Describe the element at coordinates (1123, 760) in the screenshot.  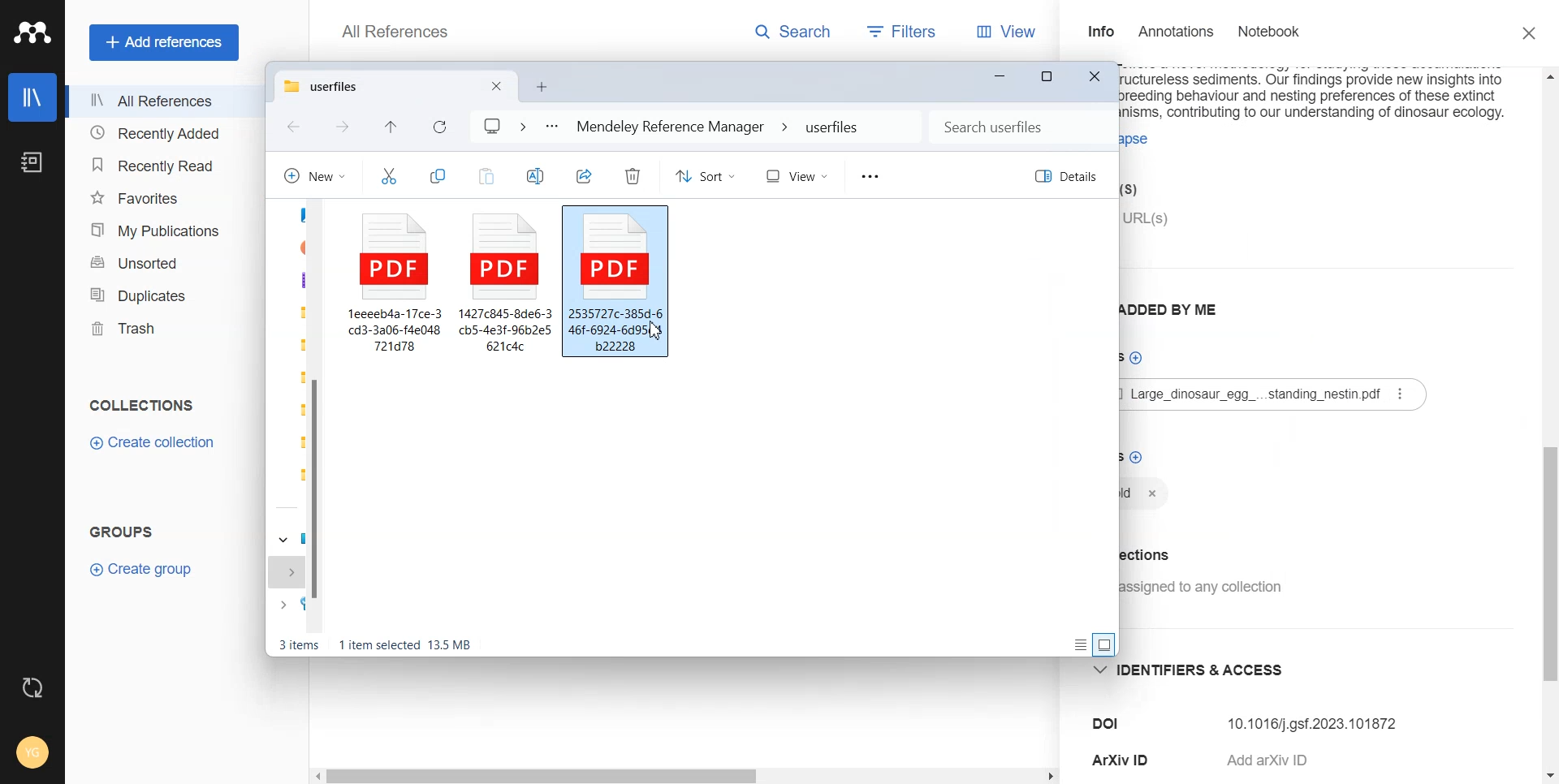
I see `ArXiv` at that location.